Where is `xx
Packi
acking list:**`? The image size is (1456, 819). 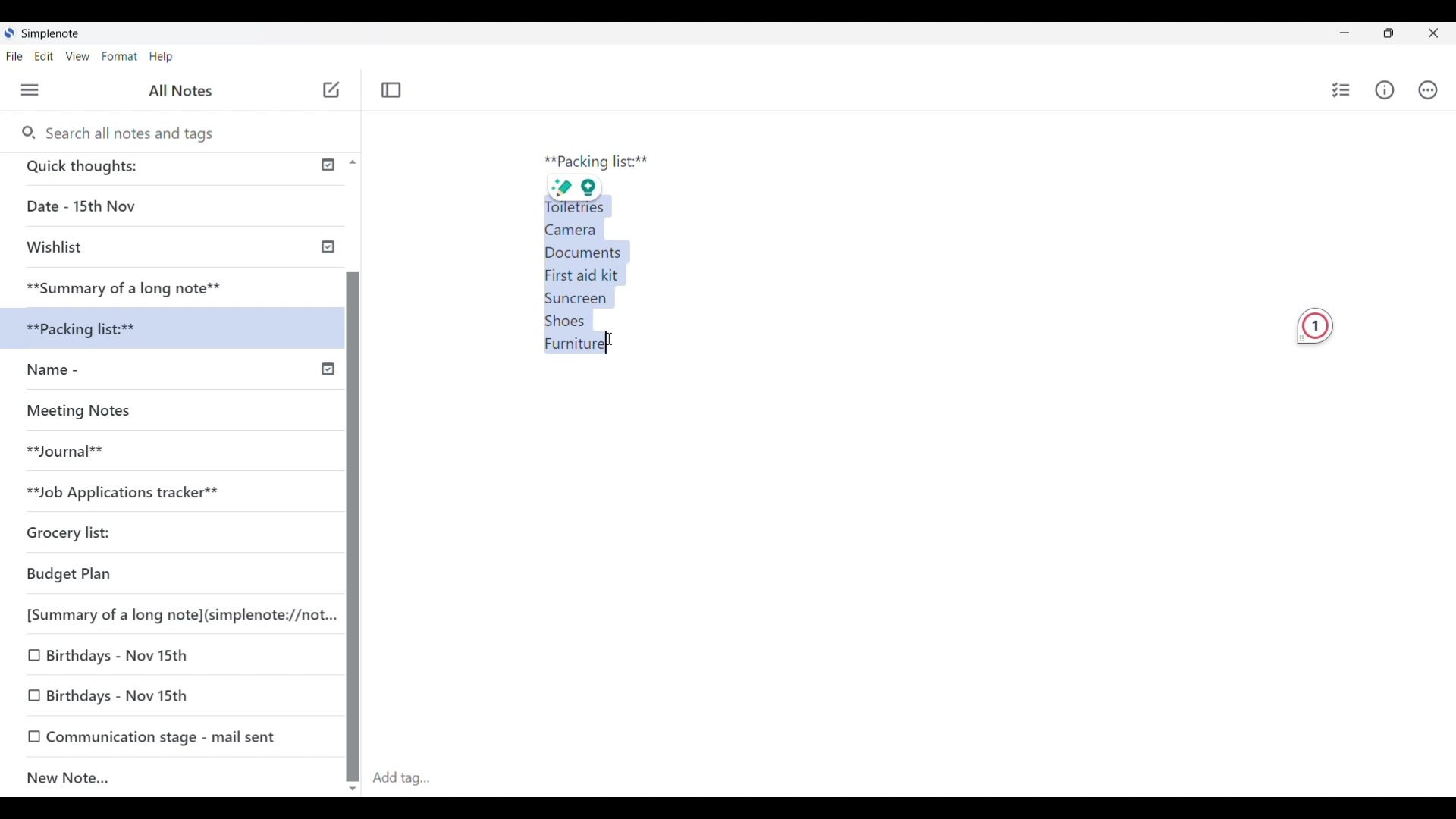
xx
Packi
acking list:** is located at coordinates (99, 329).